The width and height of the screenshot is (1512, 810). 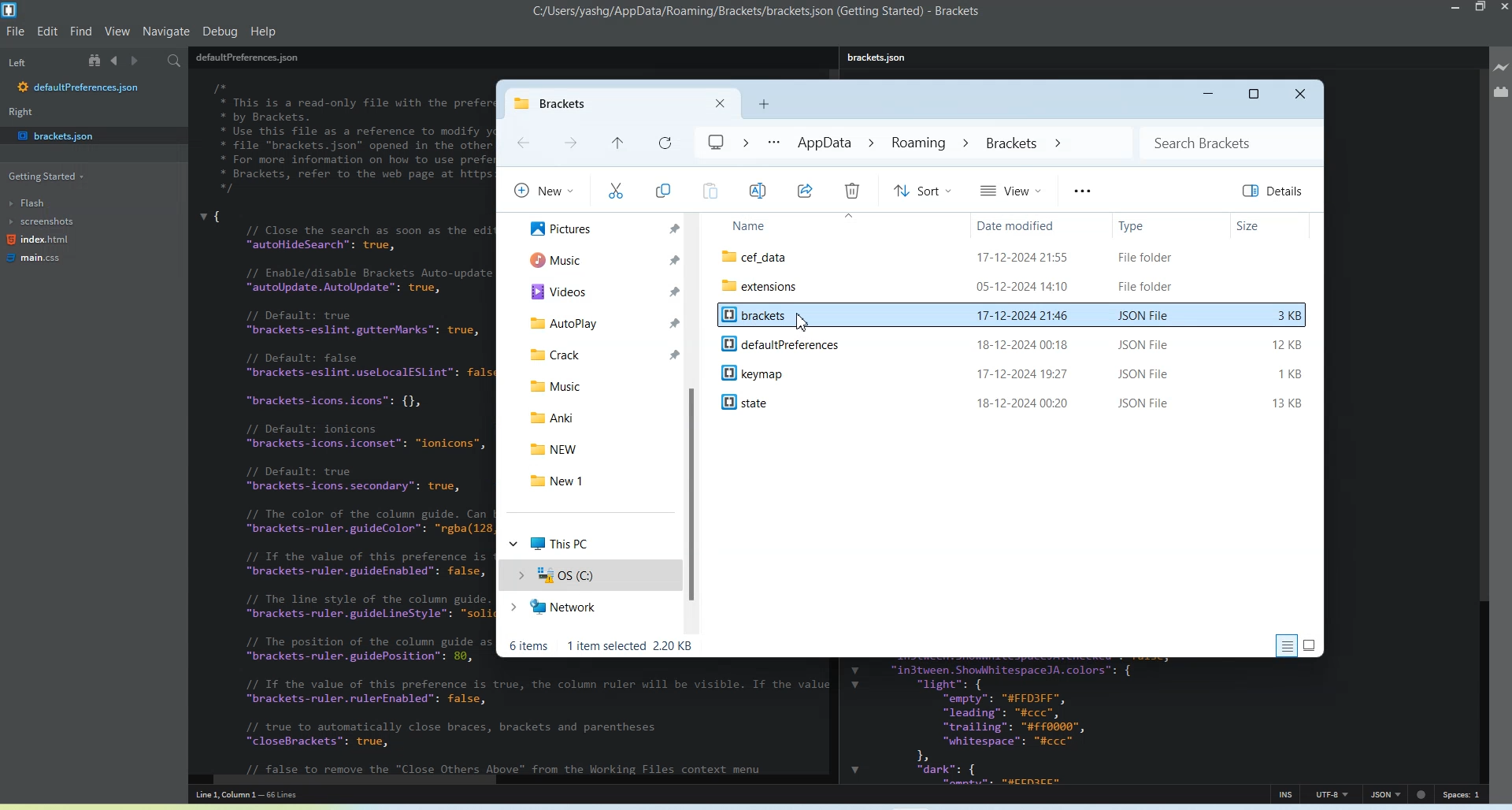 I want to click on cursor, so click(x=806, y=322).